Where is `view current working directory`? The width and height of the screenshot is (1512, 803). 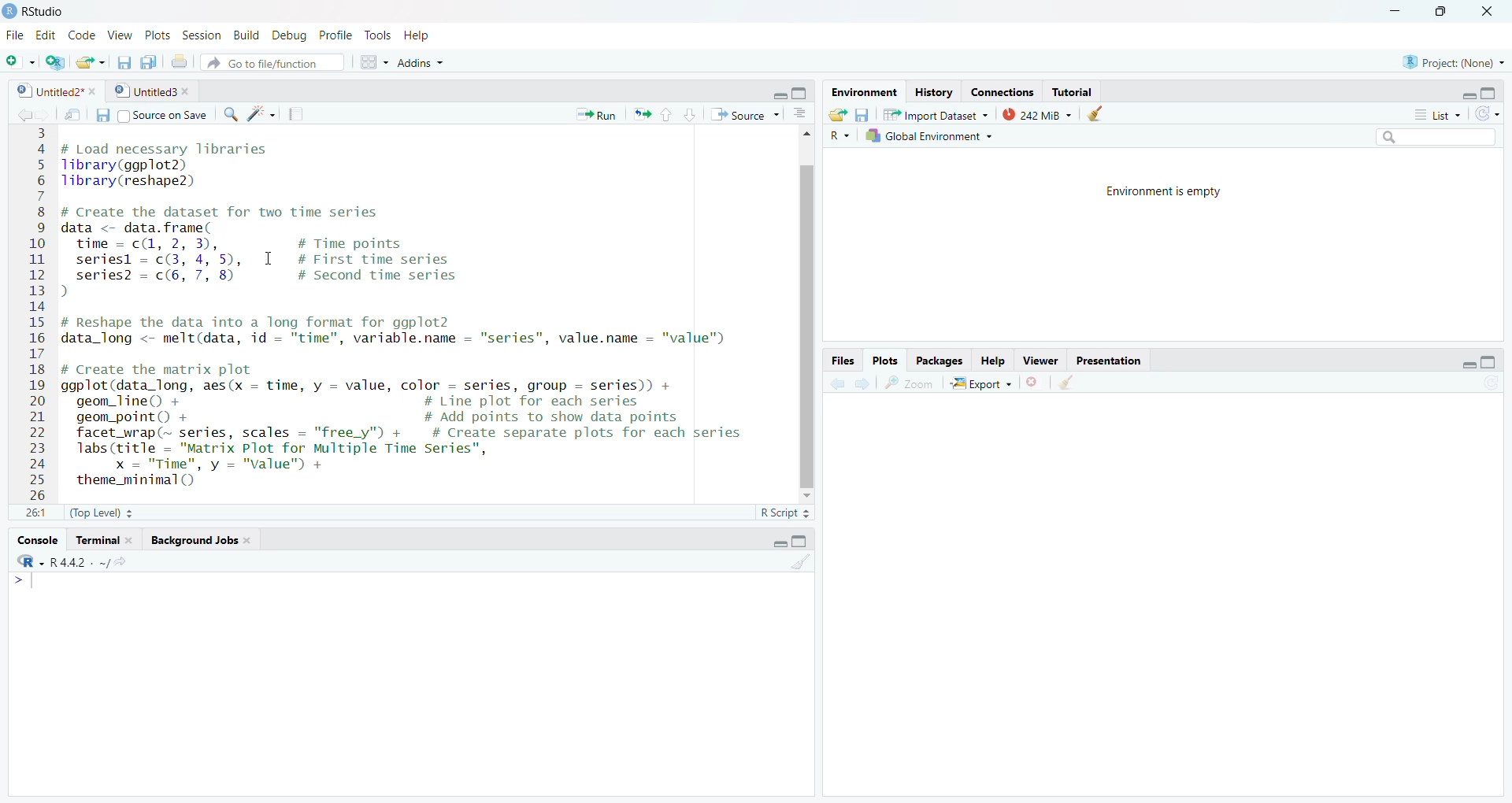 view current working directory is located at coordinates (120, 561).